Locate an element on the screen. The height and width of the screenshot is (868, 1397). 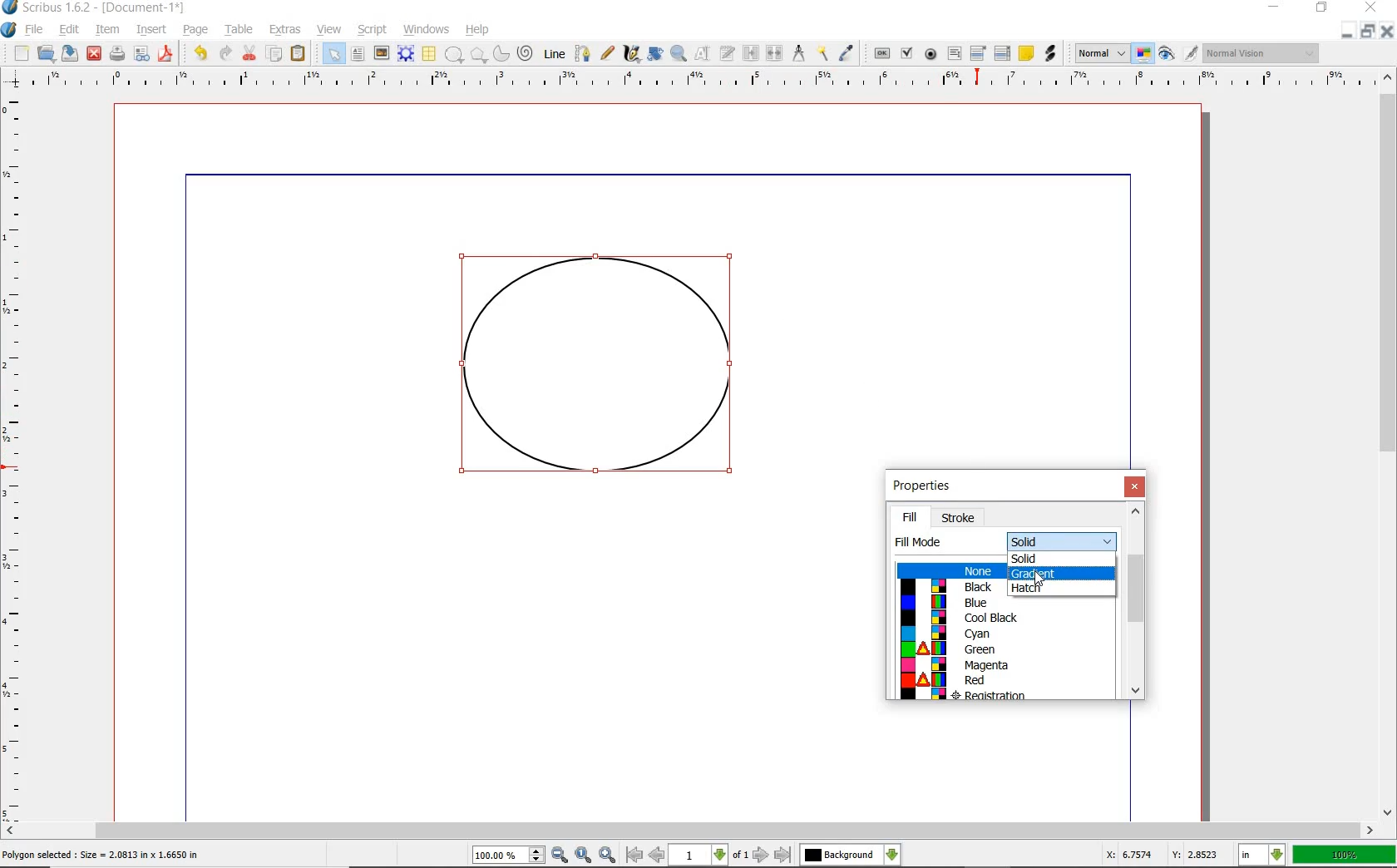
 is located at coordinates (840, 855).